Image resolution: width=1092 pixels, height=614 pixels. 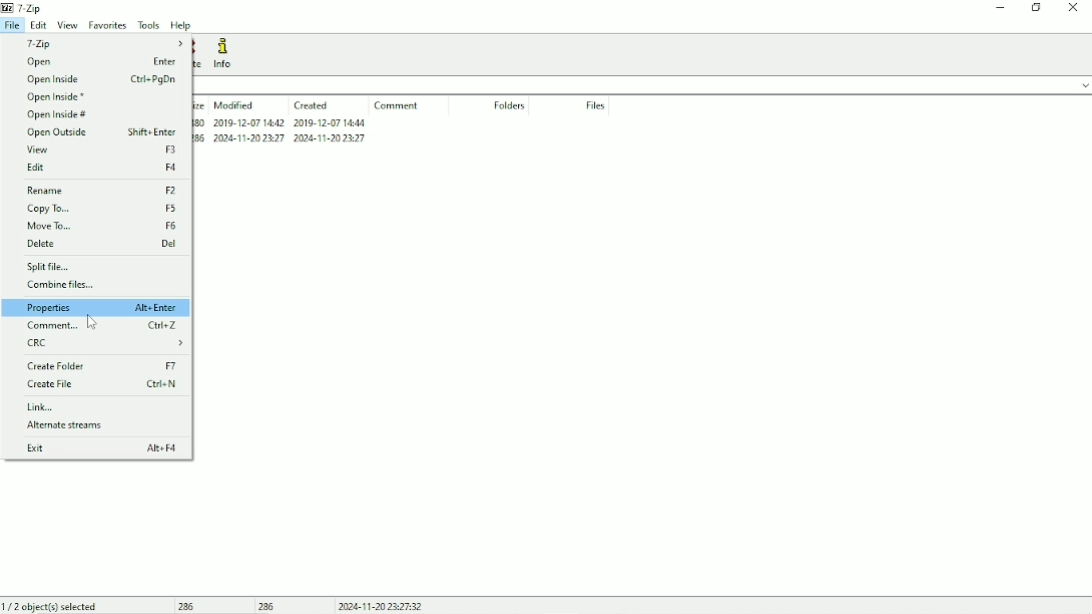 What do you see at coordinates (1035, 8) in the screenshot?
I see `Restore down` at bounding box center [1035, 8].